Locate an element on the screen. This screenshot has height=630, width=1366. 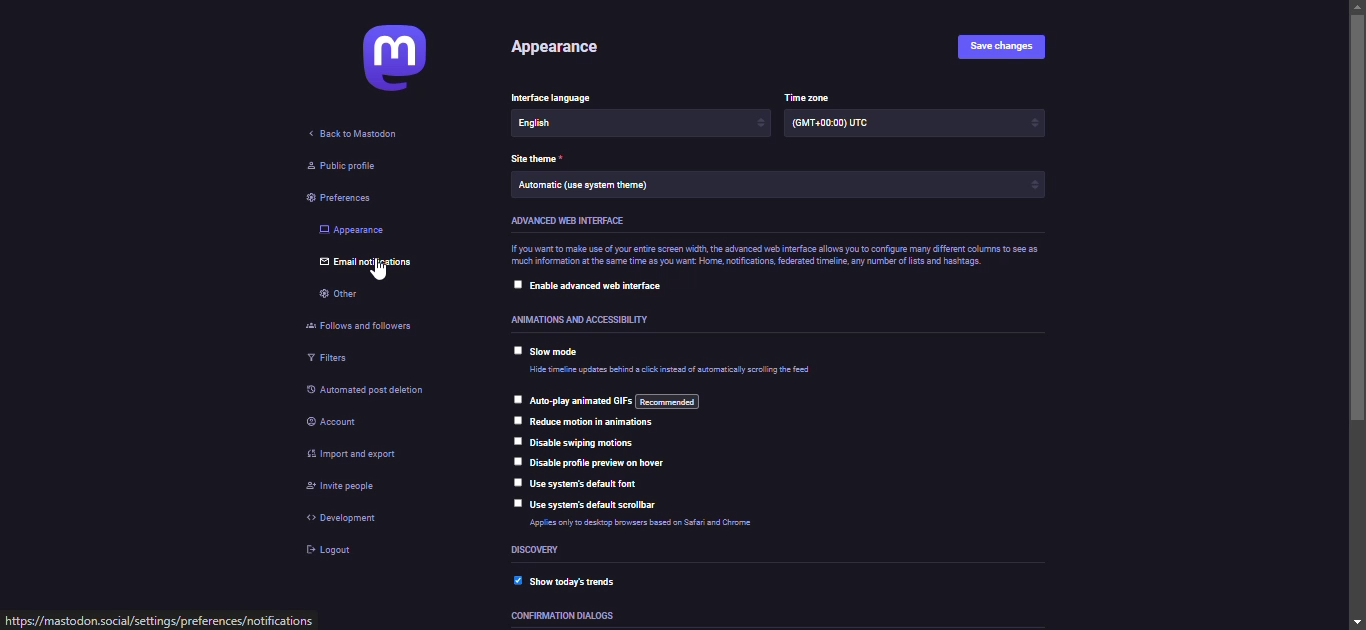
click to select is located at coordinates (516, 442).